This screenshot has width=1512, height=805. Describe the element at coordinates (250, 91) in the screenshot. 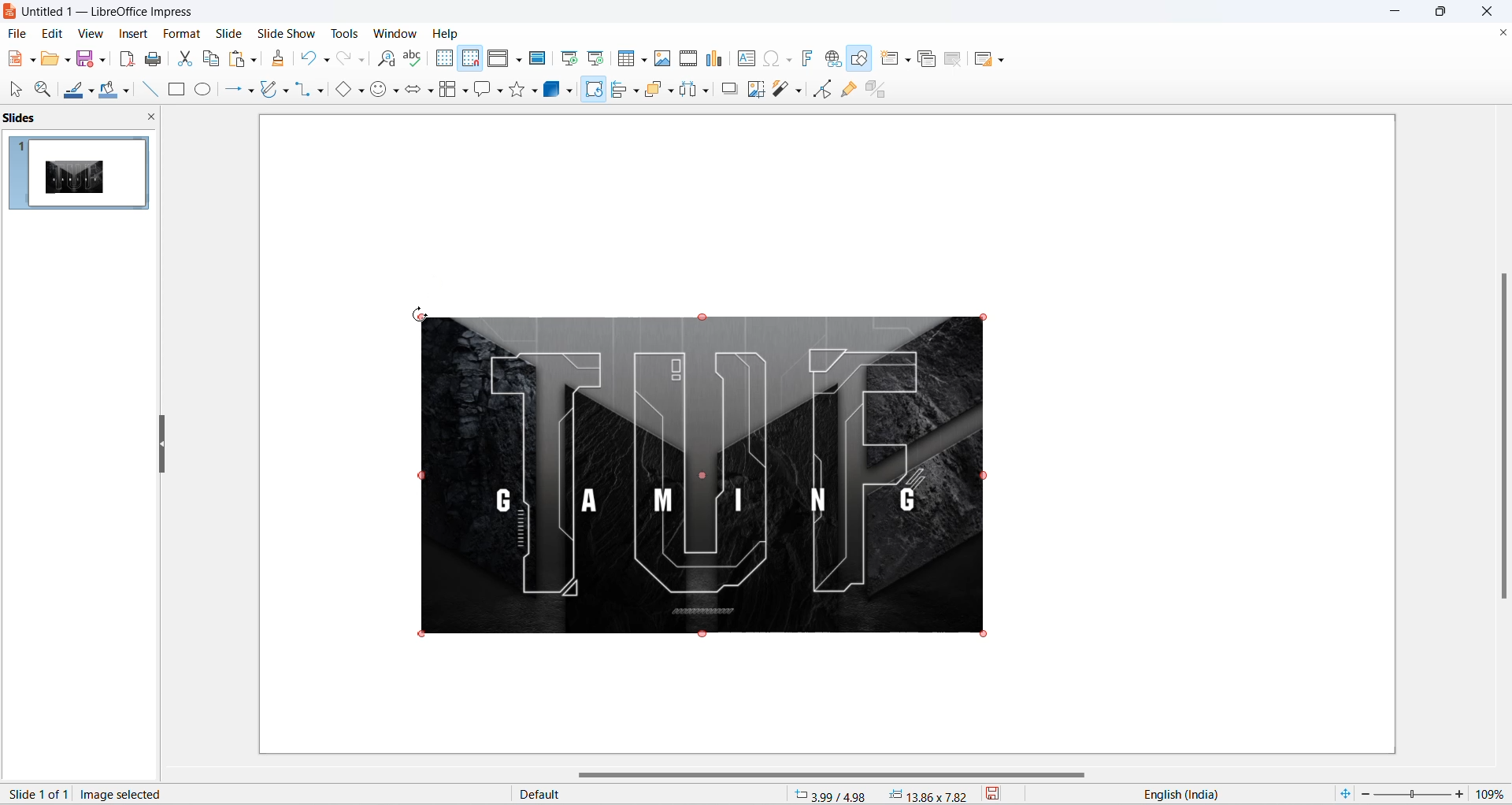

I see `line and arrows options` at that location.